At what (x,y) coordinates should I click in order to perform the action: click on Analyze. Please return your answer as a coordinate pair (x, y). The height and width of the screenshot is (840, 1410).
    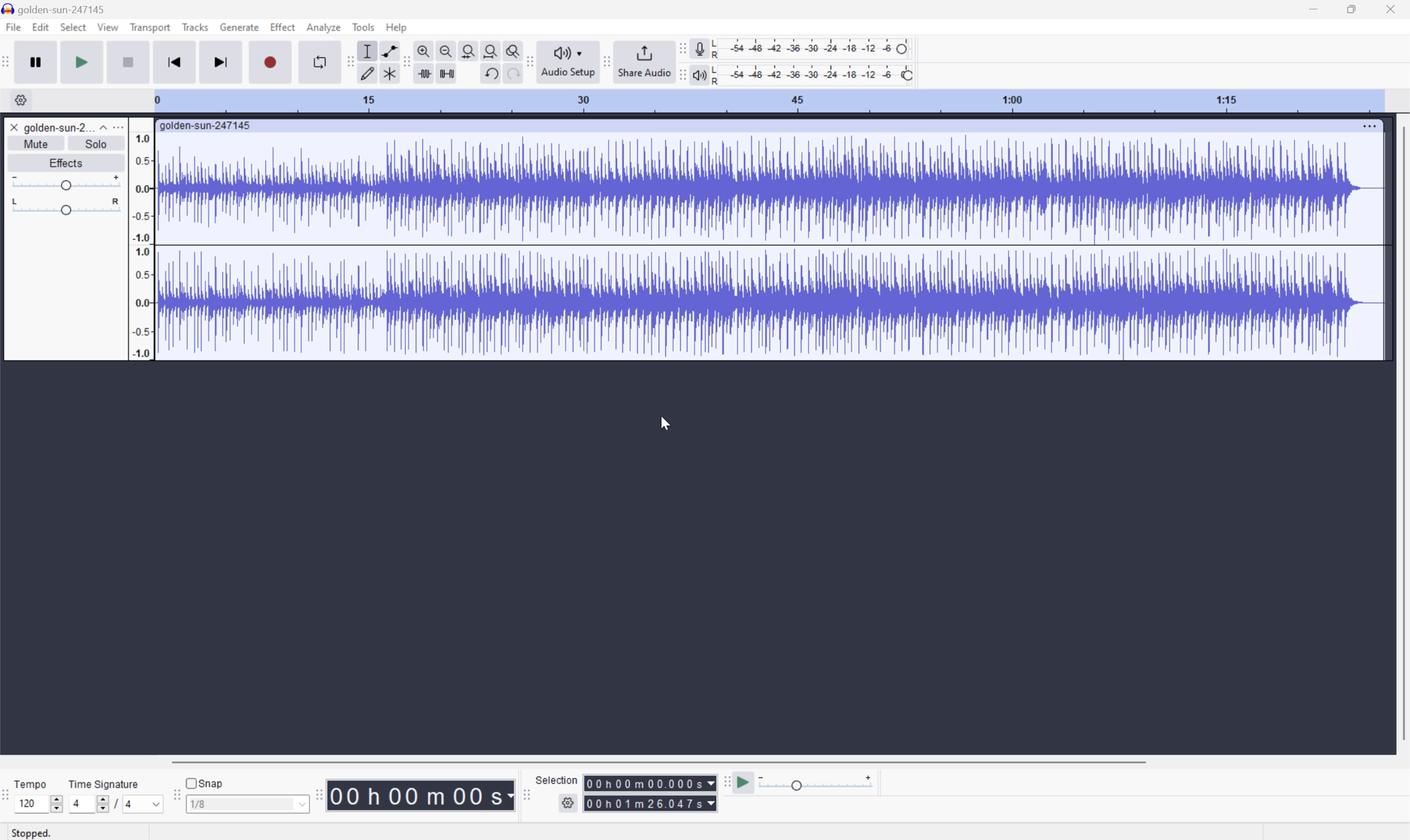
    Looking at the image, I should click on (323, 27).